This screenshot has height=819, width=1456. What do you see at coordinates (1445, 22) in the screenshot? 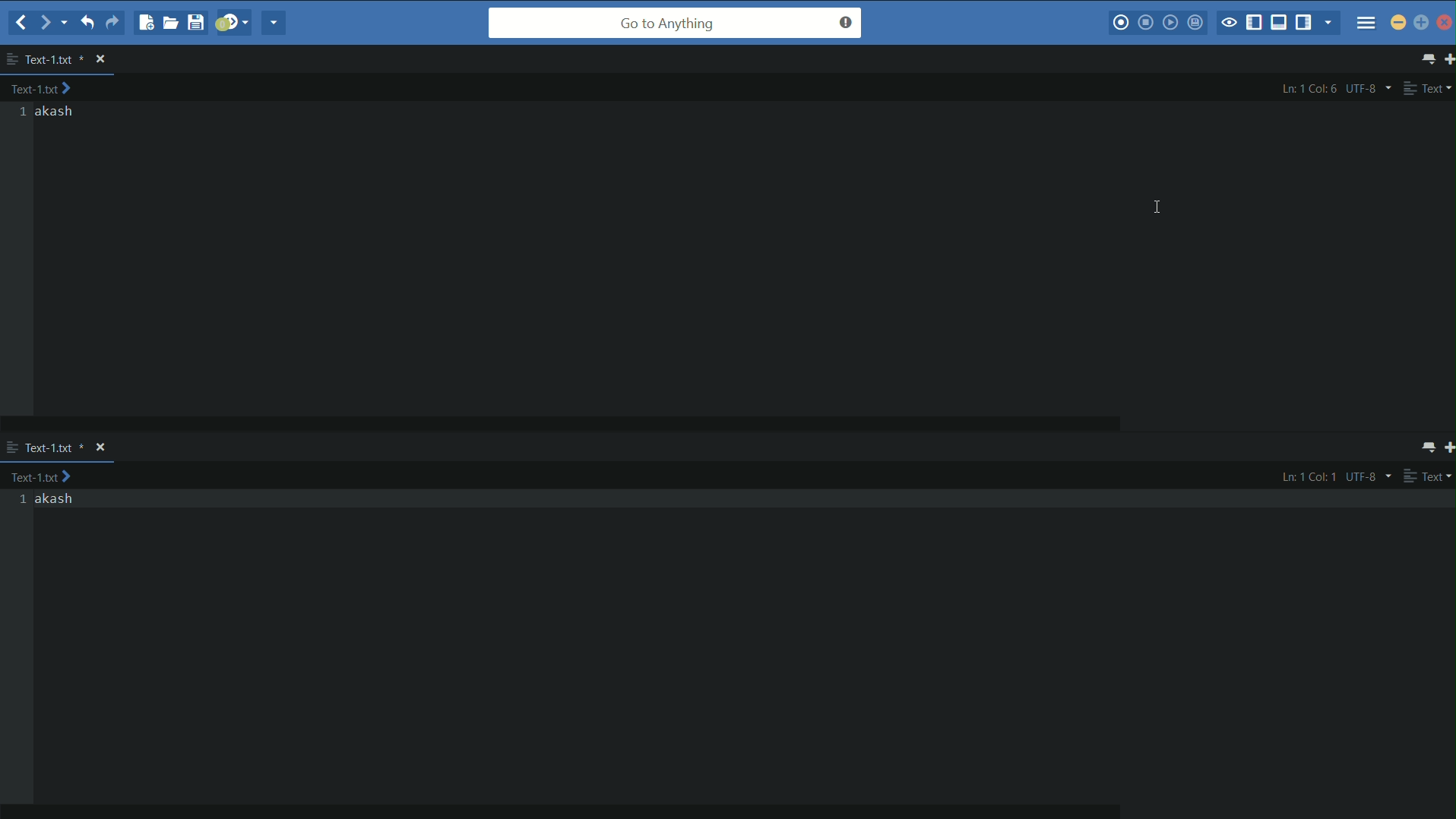
I see `Close` at bounding box center [1445, 22].